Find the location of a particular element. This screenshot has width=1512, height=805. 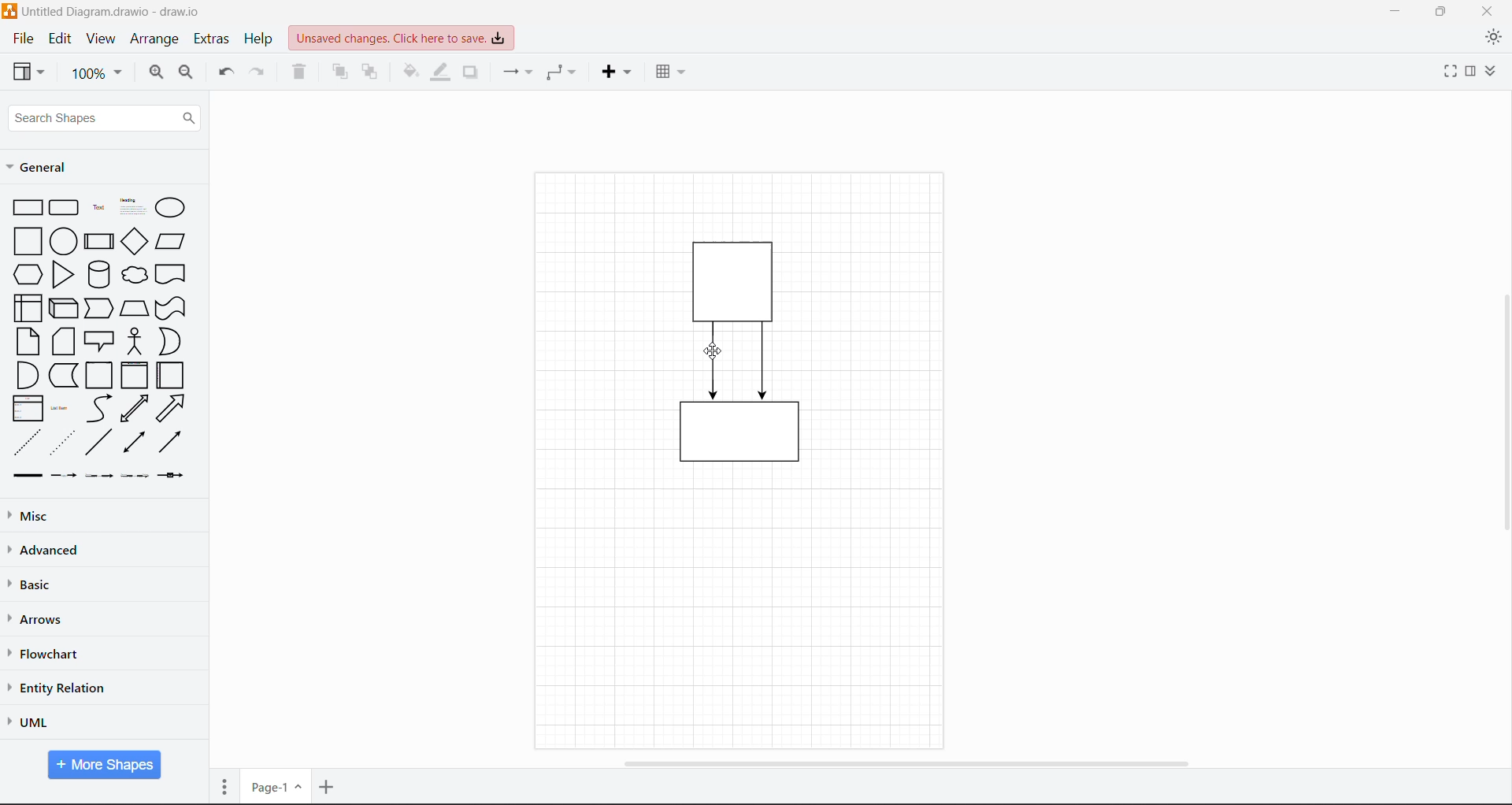

Tape is located at coordinates (172, 307).